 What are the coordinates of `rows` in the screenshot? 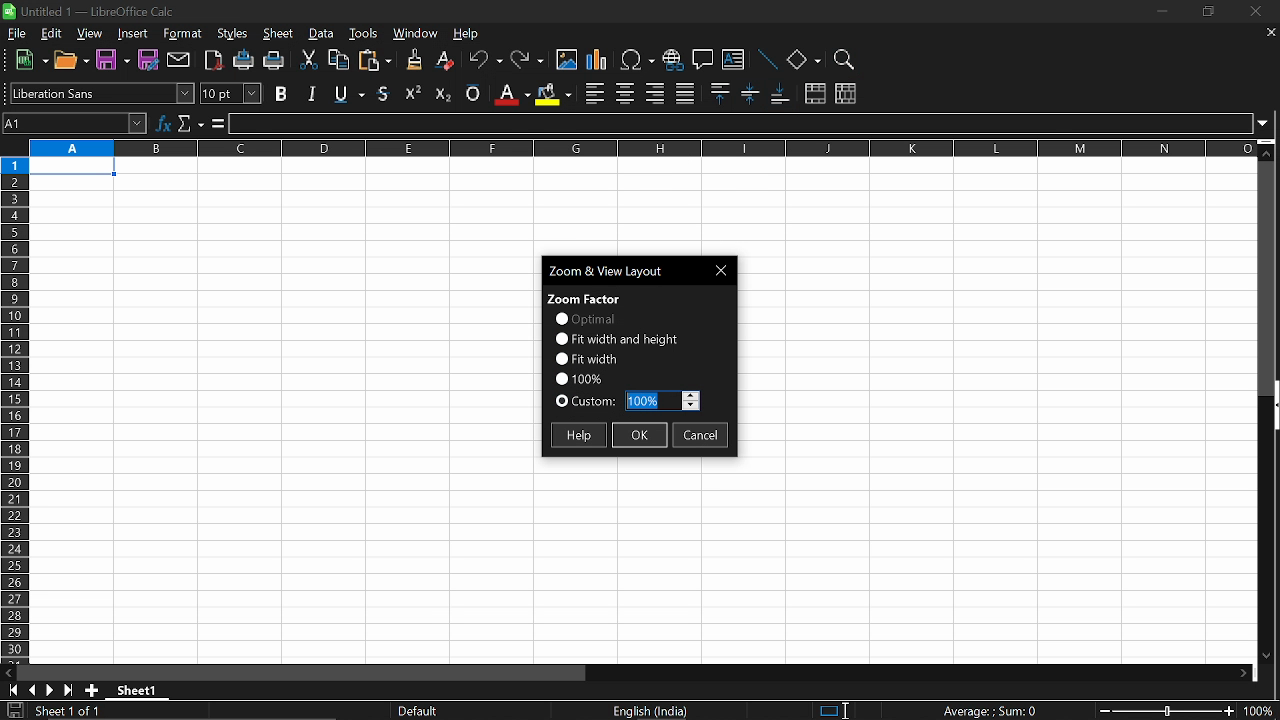 It's located at (13, 408).